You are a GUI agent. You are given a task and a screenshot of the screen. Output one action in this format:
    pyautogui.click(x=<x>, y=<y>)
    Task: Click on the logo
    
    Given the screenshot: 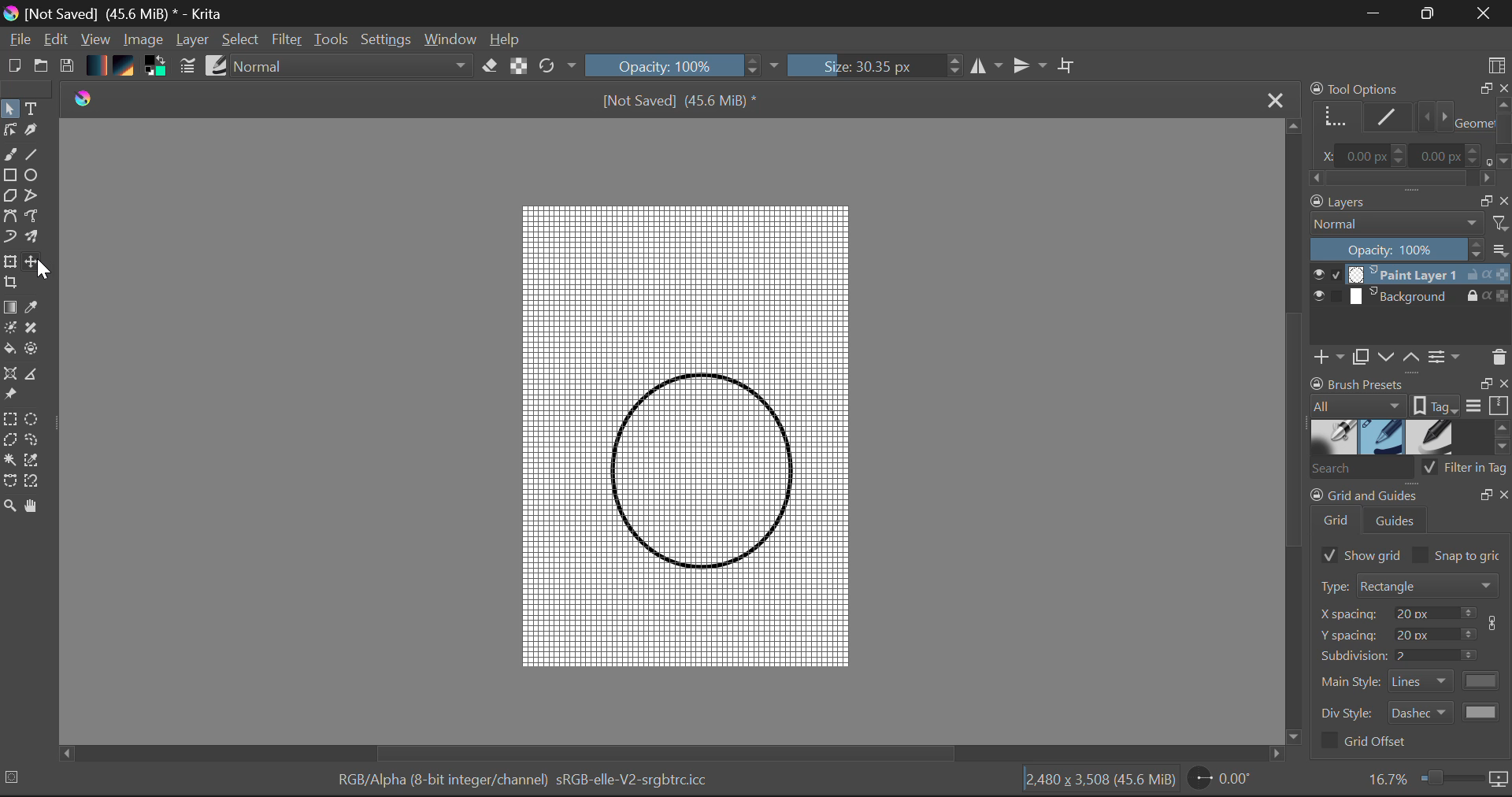 What is the action you would take?
    pyautogui.click(x=85, y=99)
    